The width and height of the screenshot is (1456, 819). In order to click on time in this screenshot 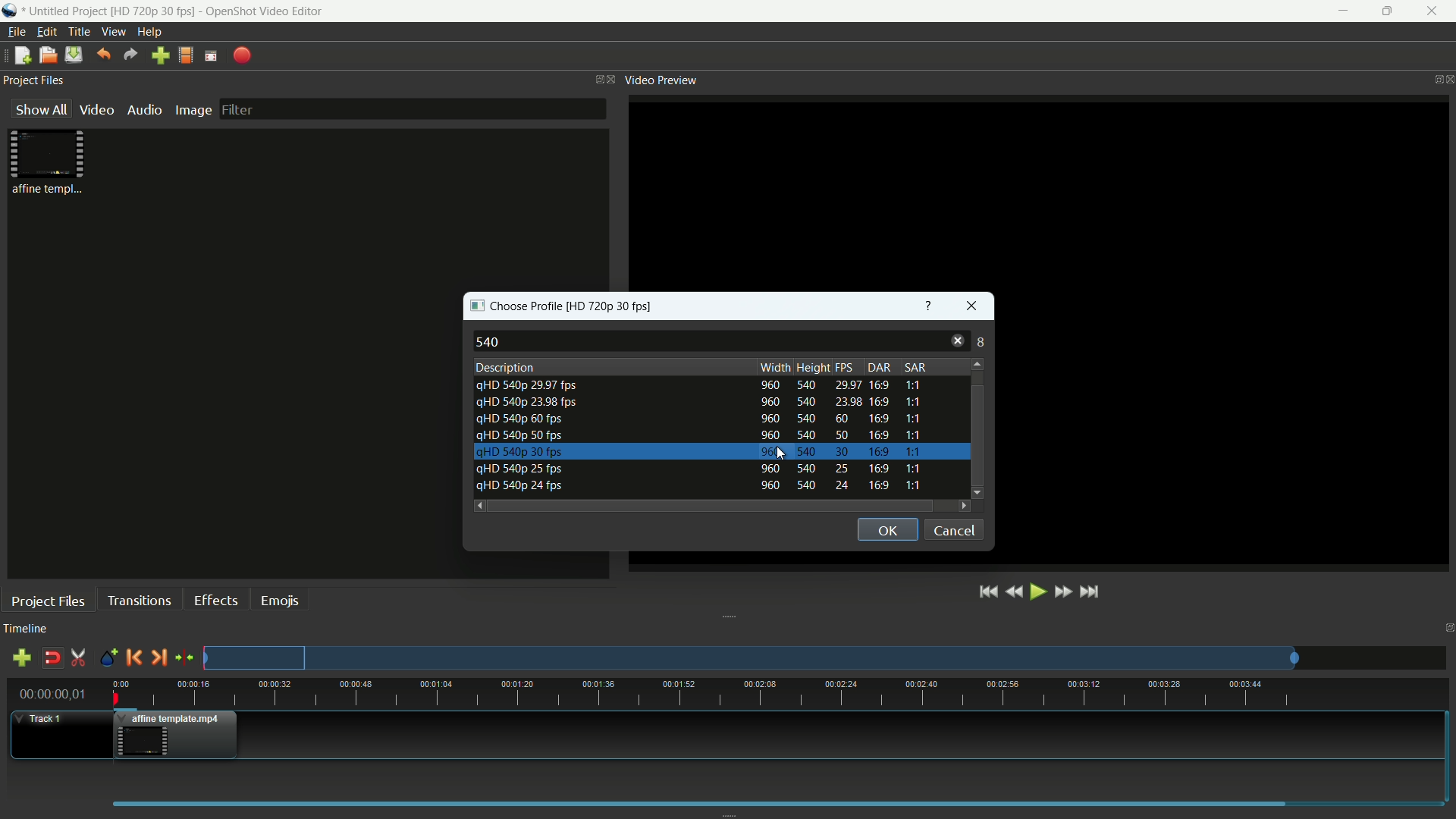, I will do `click(781, 692)`.